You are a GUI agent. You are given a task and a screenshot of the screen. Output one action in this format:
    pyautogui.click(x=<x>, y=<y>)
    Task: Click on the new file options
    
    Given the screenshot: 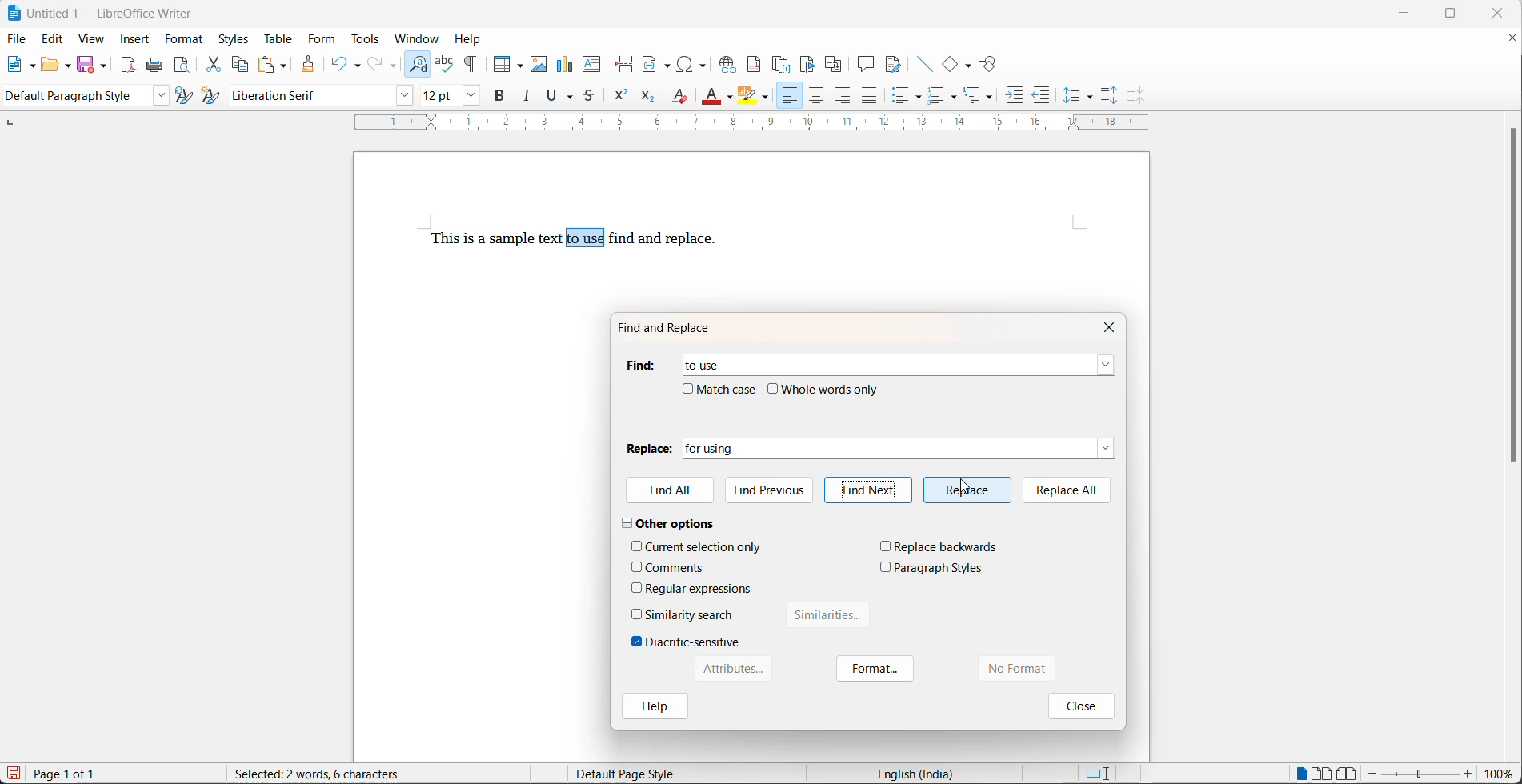 What is the action you would take?
    pyautogui.click(x=34, y=66)
    